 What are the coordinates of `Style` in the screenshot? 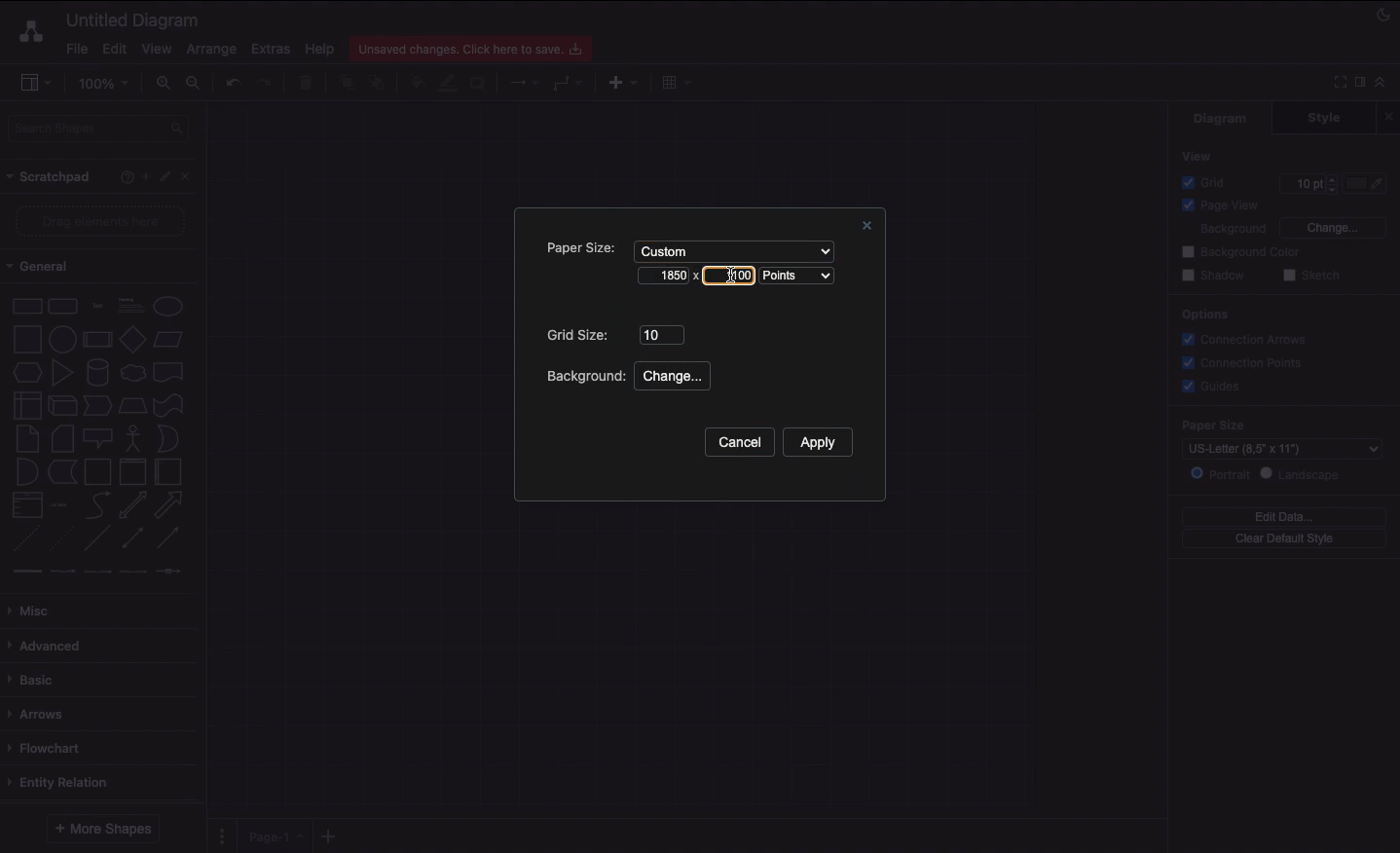 It's located at (1326, 117).